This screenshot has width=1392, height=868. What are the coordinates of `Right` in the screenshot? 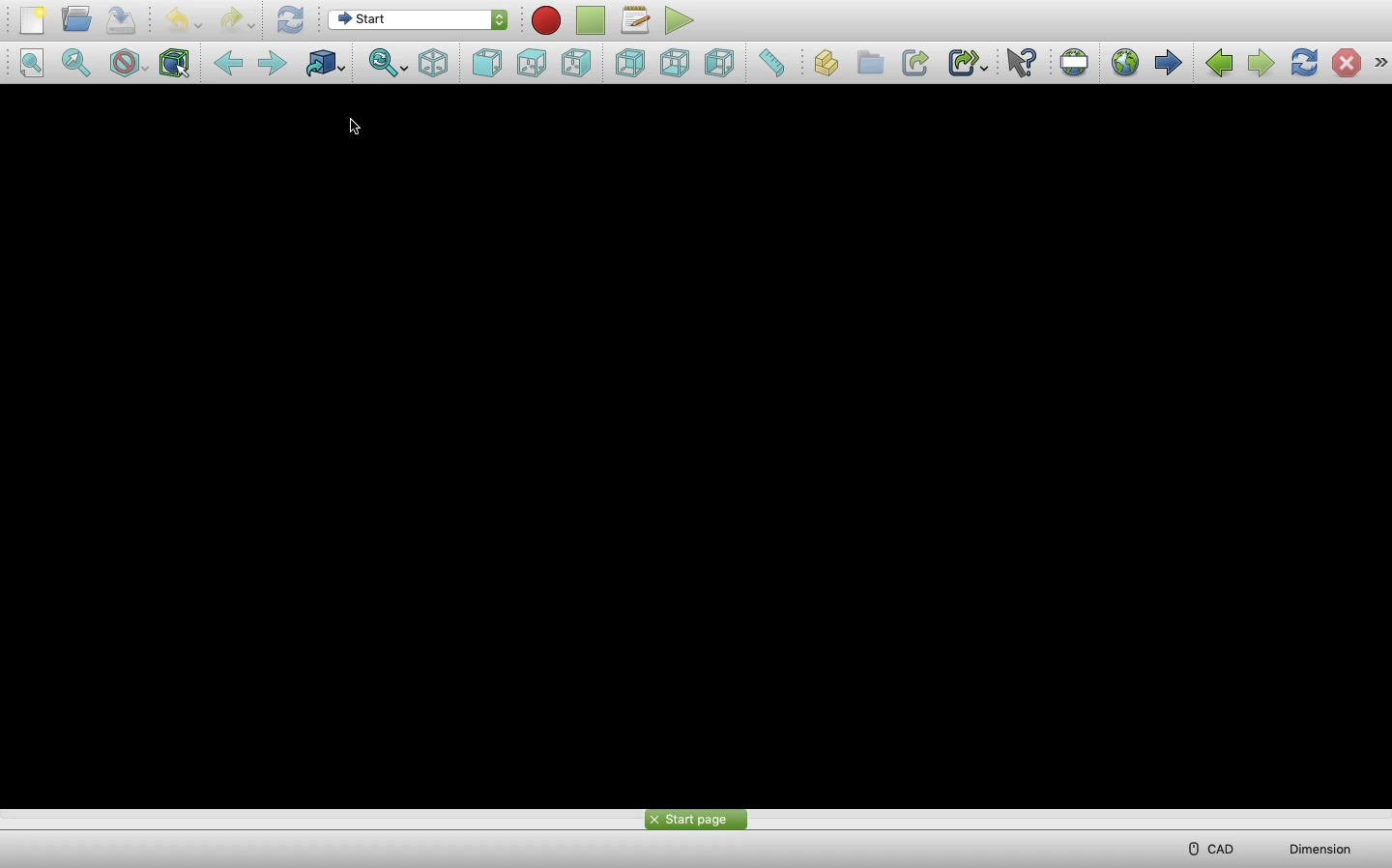 It's located at (576, 64).